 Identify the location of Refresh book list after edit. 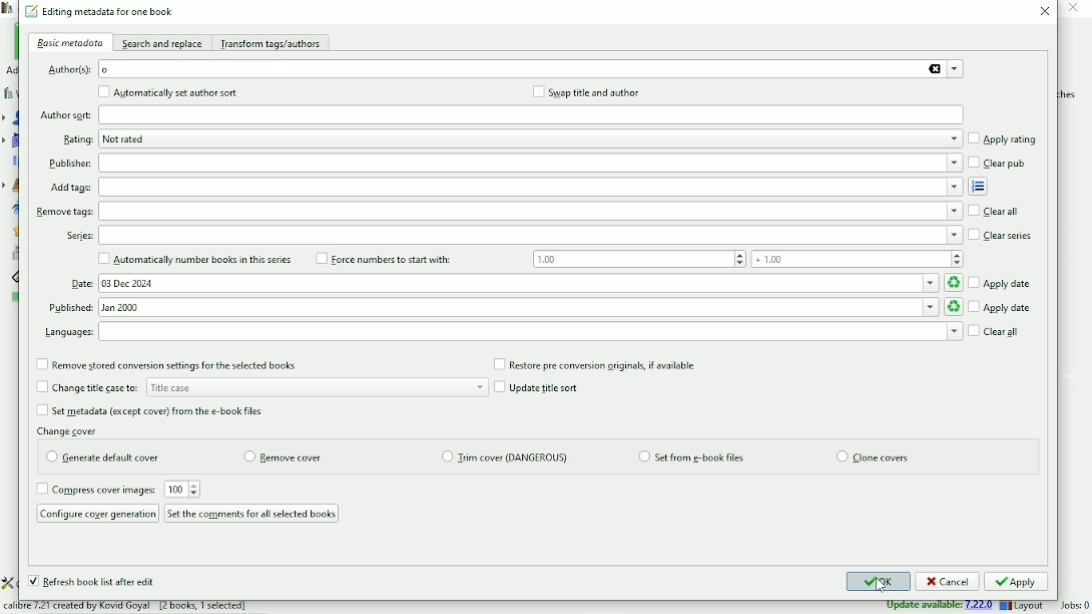
(92, 583).